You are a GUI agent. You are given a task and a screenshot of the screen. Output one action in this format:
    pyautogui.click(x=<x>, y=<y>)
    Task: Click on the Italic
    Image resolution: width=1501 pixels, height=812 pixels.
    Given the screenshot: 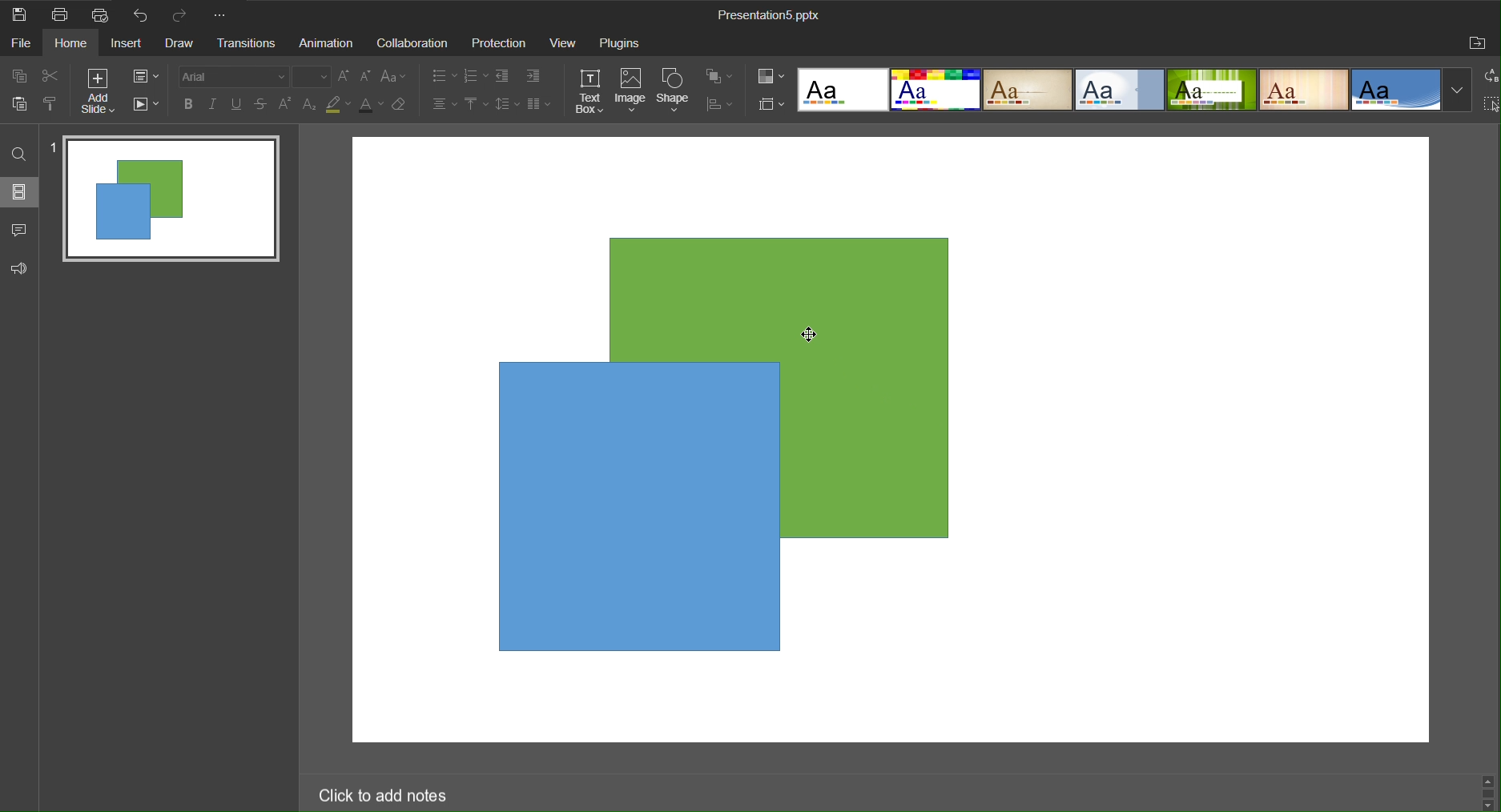 What is the action you would take?
    pyautogui.click(x=211, y=103)
    